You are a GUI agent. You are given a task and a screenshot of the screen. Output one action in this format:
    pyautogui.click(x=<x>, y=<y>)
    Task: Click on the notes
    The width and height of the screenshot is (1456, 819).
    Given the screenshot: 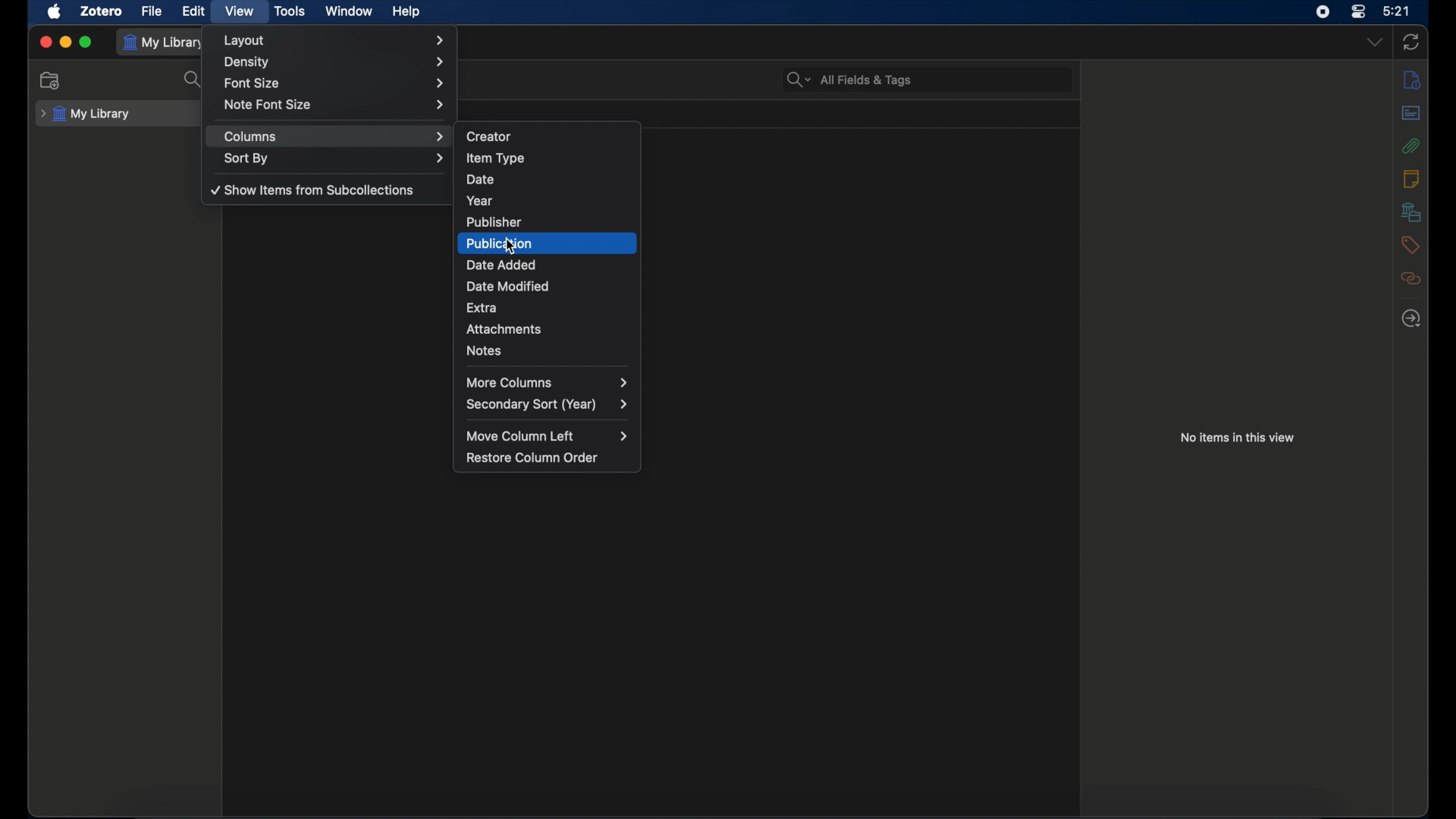 What is the action you would take?
    pyautogui.click(x=549, y=350)
    